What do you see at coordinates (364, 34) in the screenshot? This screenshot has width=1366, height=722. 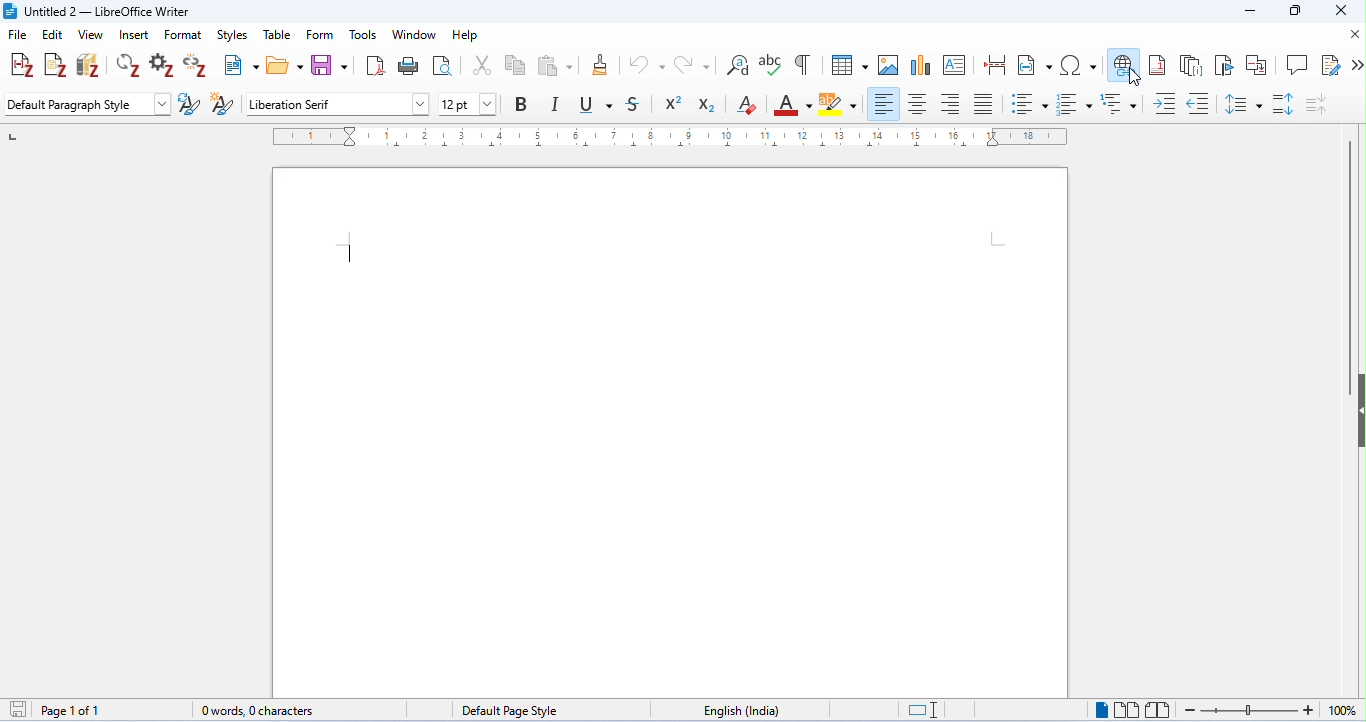 I see `tools` at bounding box center [364, 34].